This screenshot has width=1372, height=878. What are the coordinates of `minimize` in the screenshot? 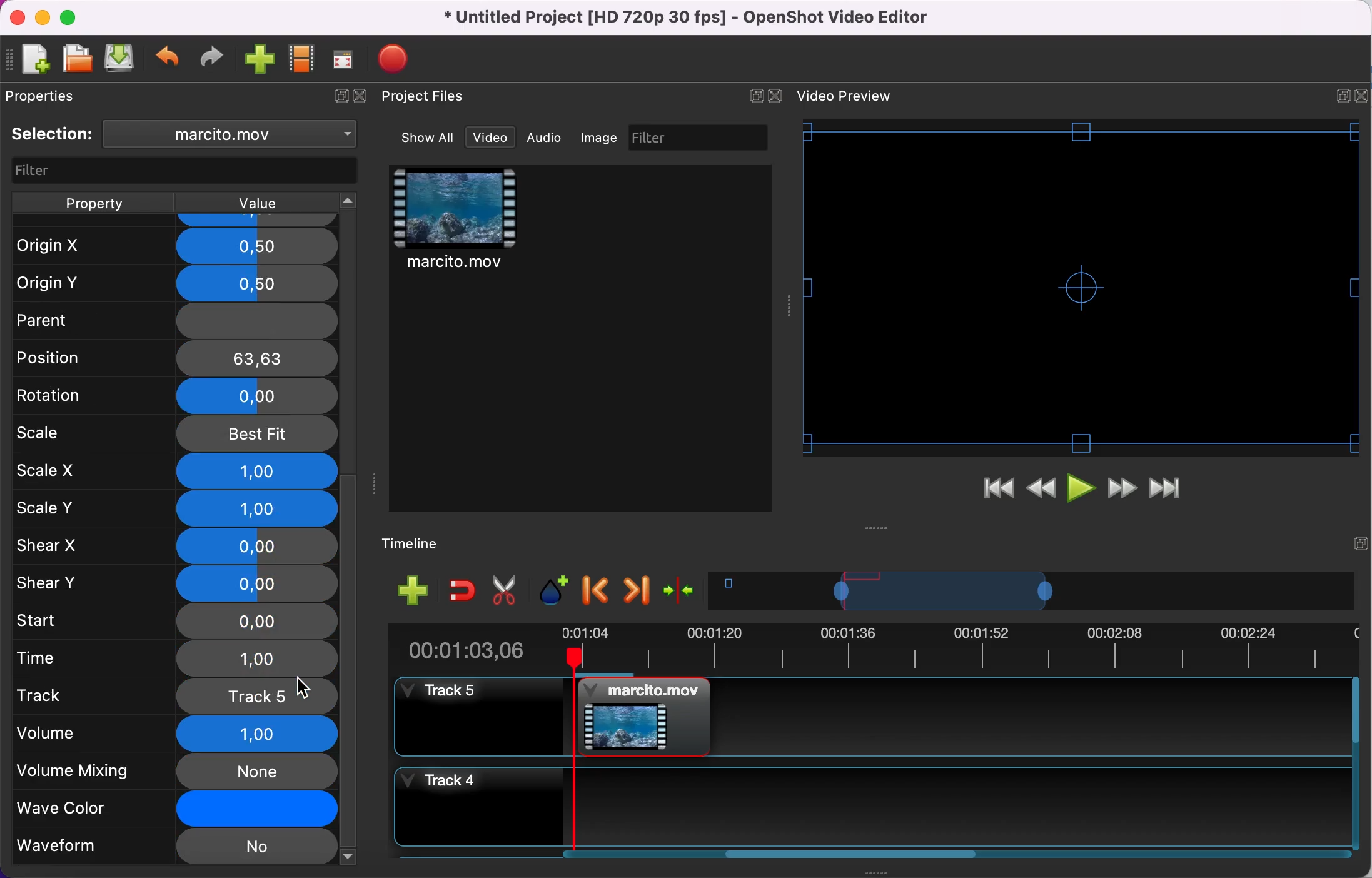 It's located at (42, 17).